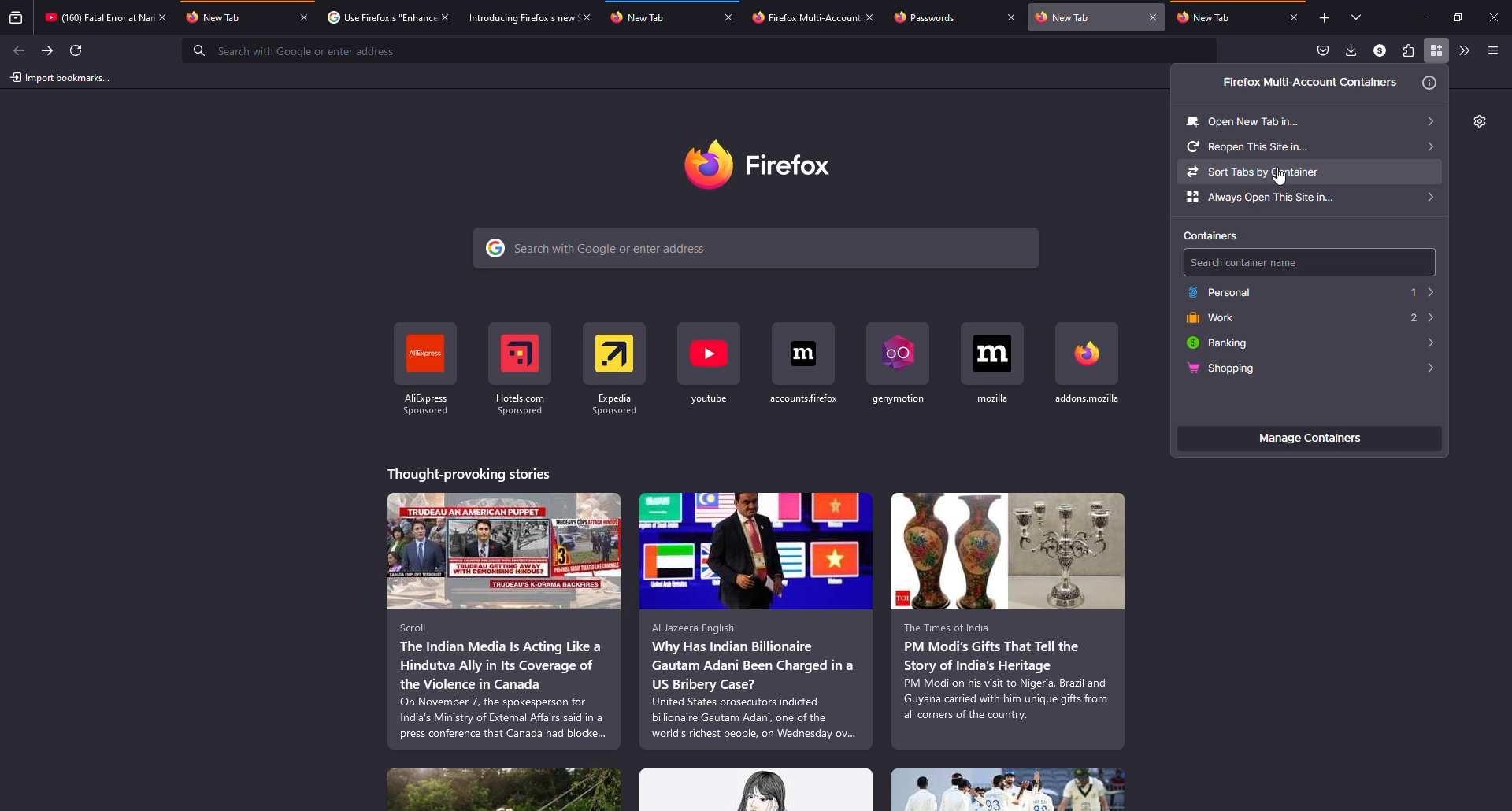  Describe the element at coordinates (658, 17) in the screenshot. I see `tab` at that location.